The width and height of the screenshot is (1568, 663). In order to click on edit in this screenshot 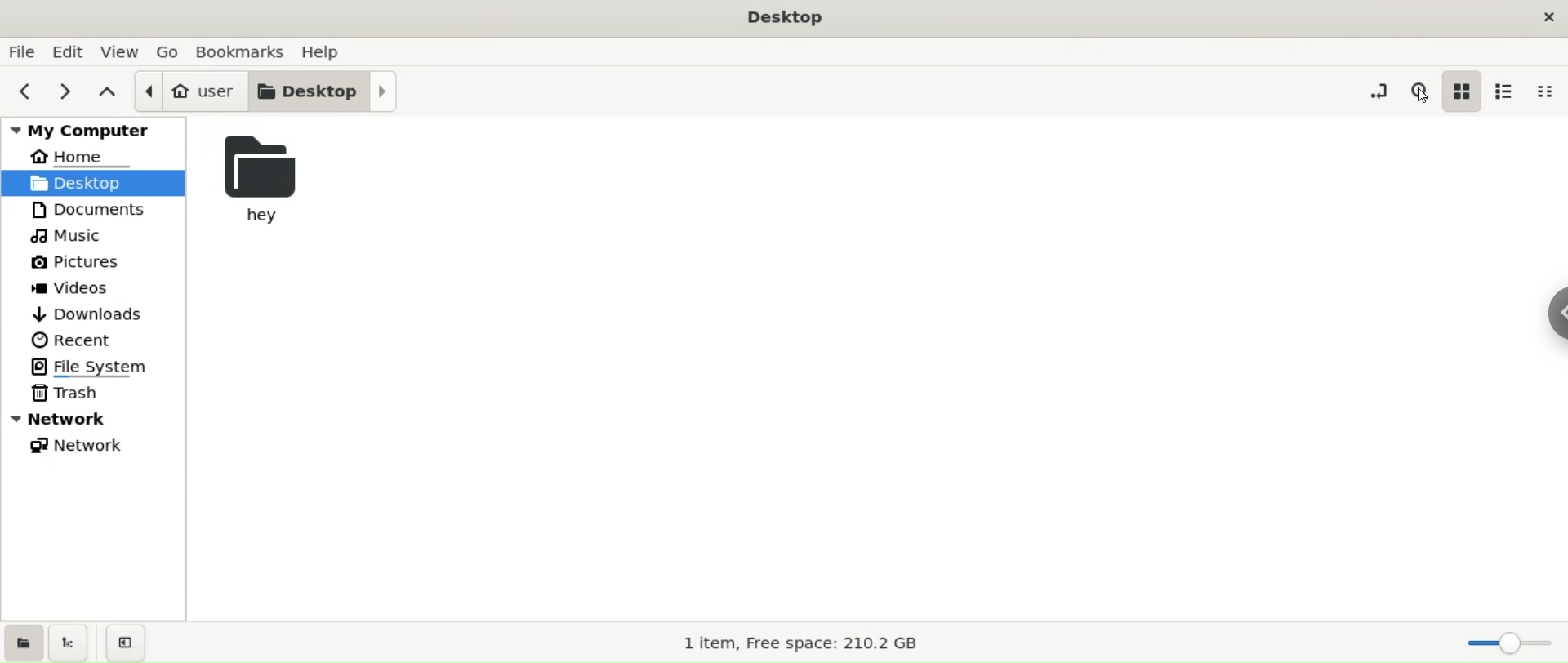, I will do `click(69, 51)`.